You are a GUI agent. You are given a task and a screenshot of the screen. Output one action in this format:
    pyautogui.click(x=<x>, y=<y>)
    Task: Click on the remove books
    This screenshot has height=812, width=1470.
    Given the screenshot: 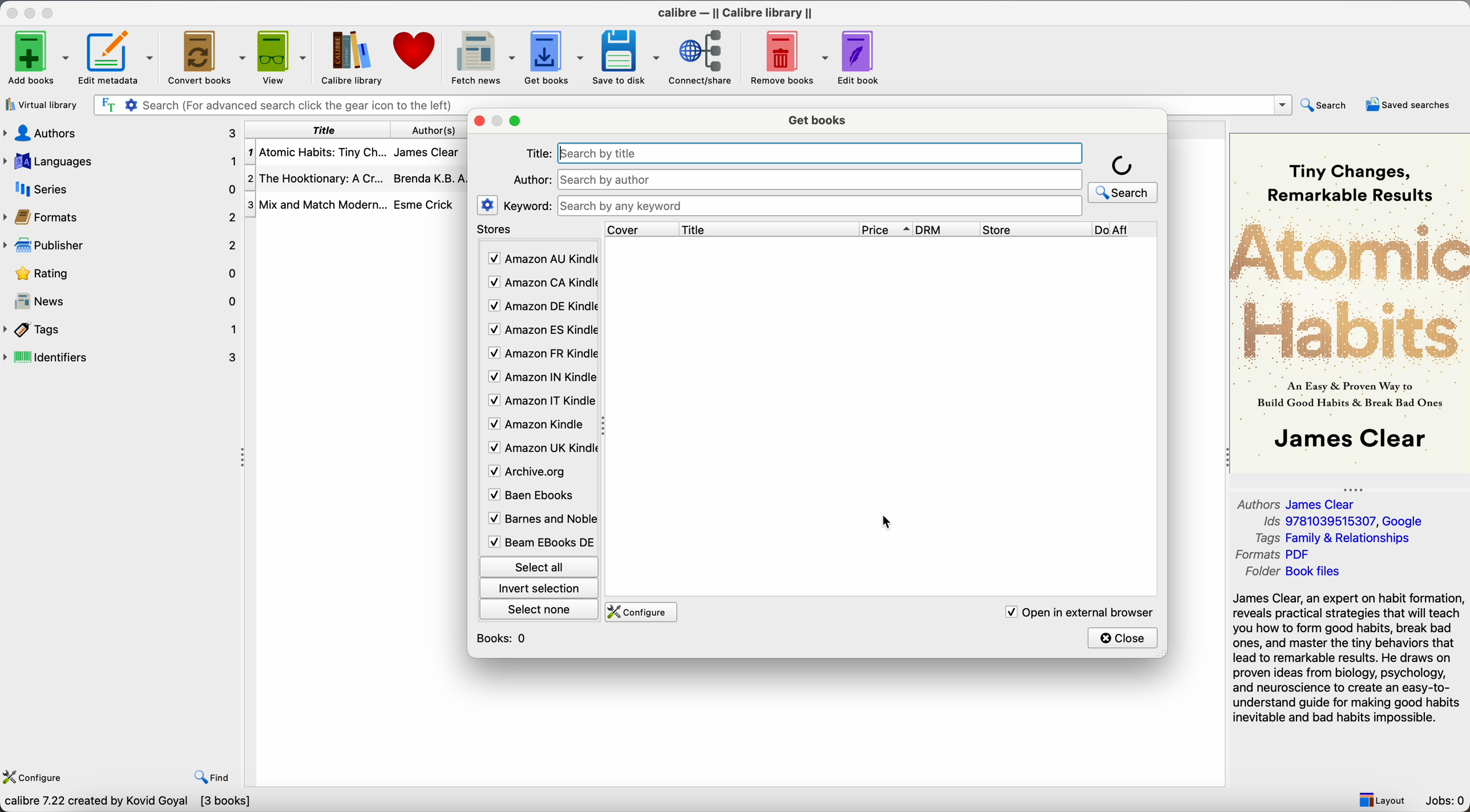 What is the action you would take?
    pyautogui.click(x=789, y=57)
    